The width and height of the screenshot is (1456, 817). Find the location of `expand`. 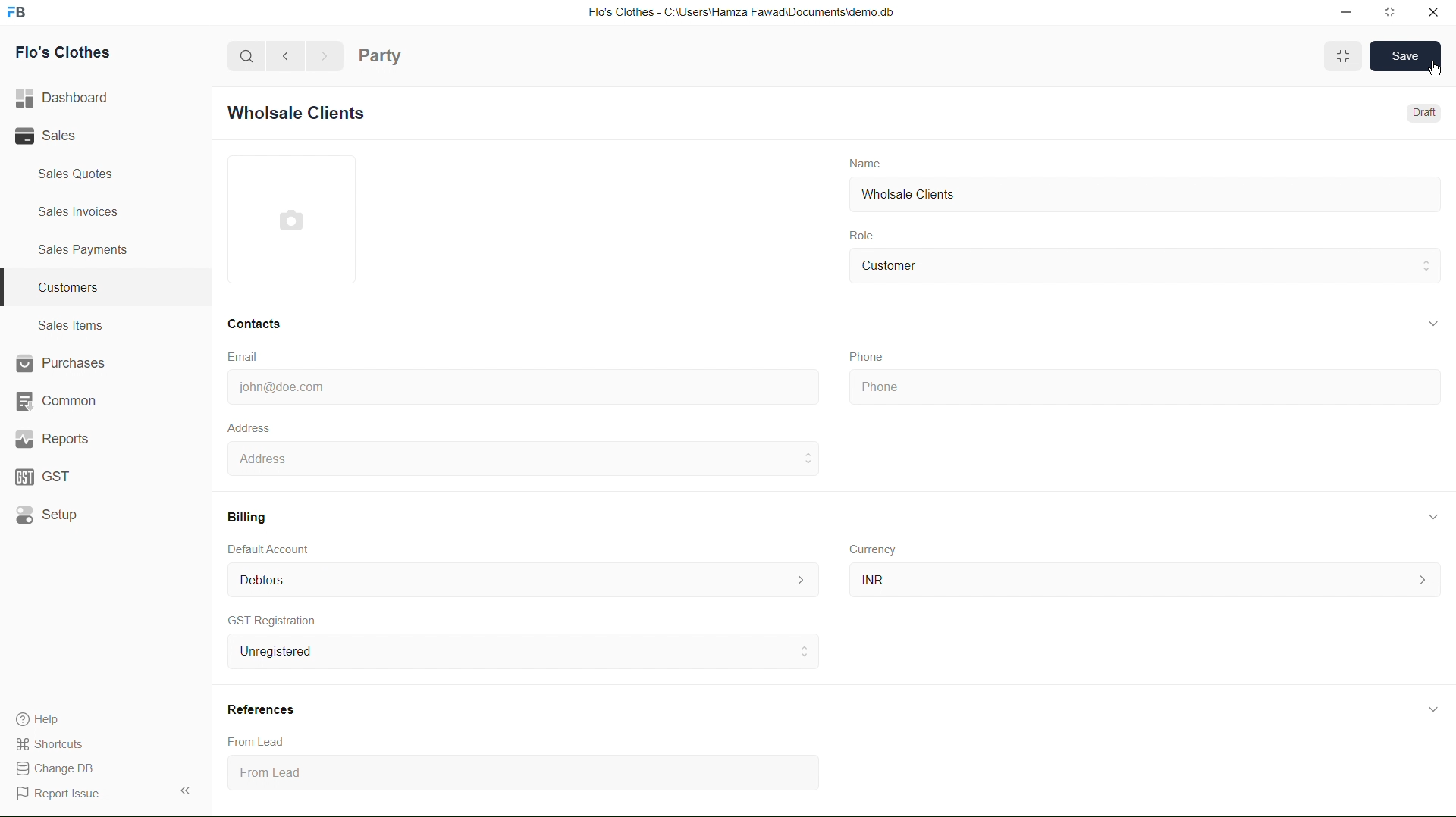

expand is located at coordinates (1428, 324).